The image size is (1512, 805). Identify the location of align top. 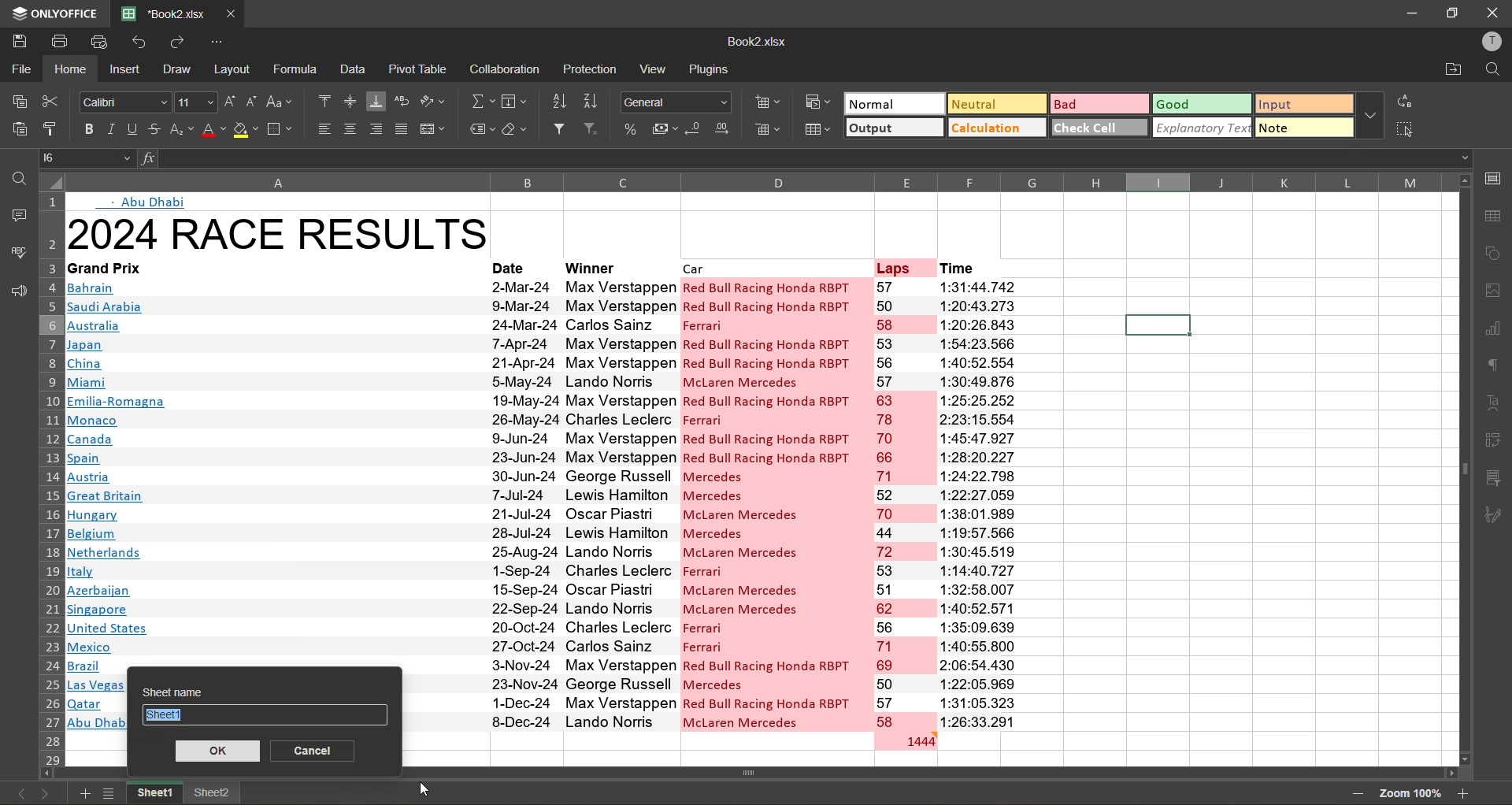
(327, 102).